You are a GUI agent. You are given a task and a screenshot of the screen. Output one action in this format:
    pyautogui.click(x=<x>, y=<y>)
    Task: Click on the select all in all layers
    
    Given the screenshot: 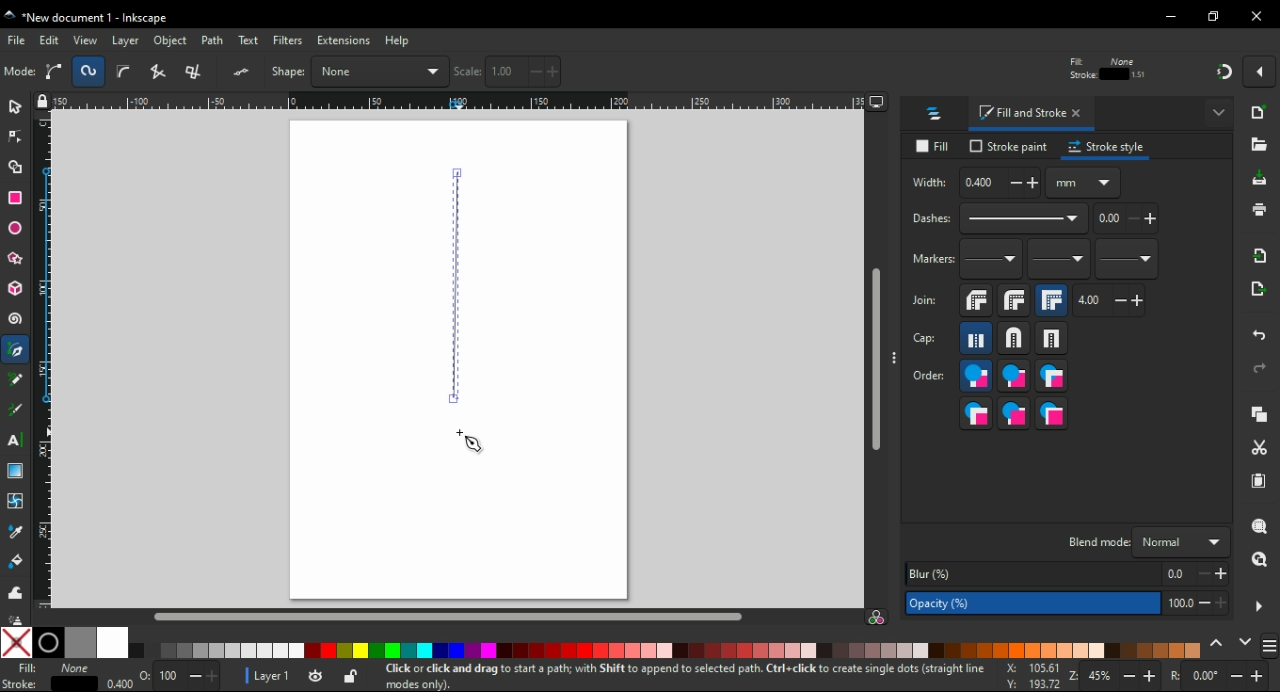 What is the action you would take?
    pyautogui.click(x=57, y=71)
    